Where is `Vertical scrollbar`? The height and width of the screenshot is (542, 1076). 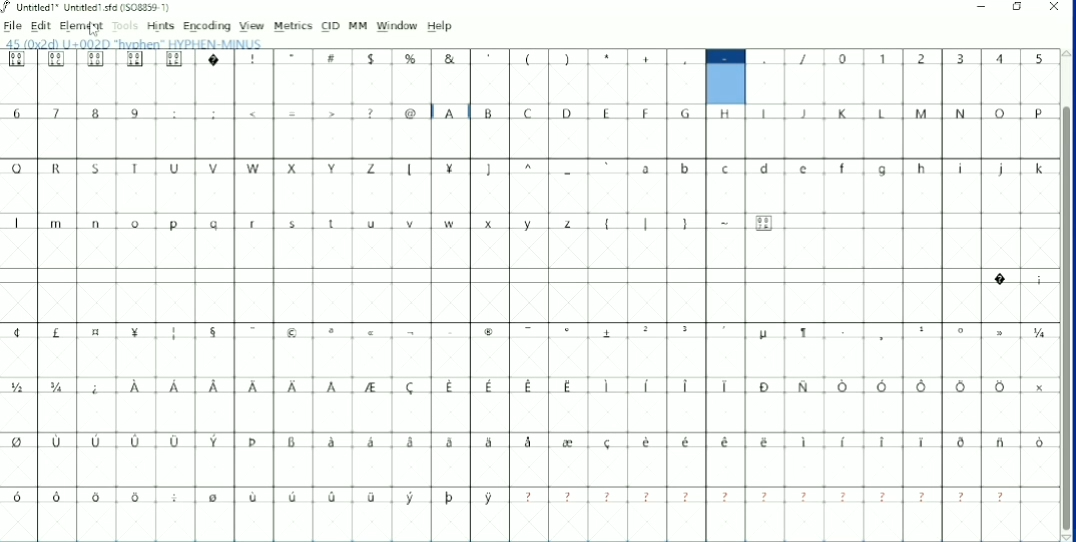 Vertical scrollbar is located at coordinates (1065, 321).